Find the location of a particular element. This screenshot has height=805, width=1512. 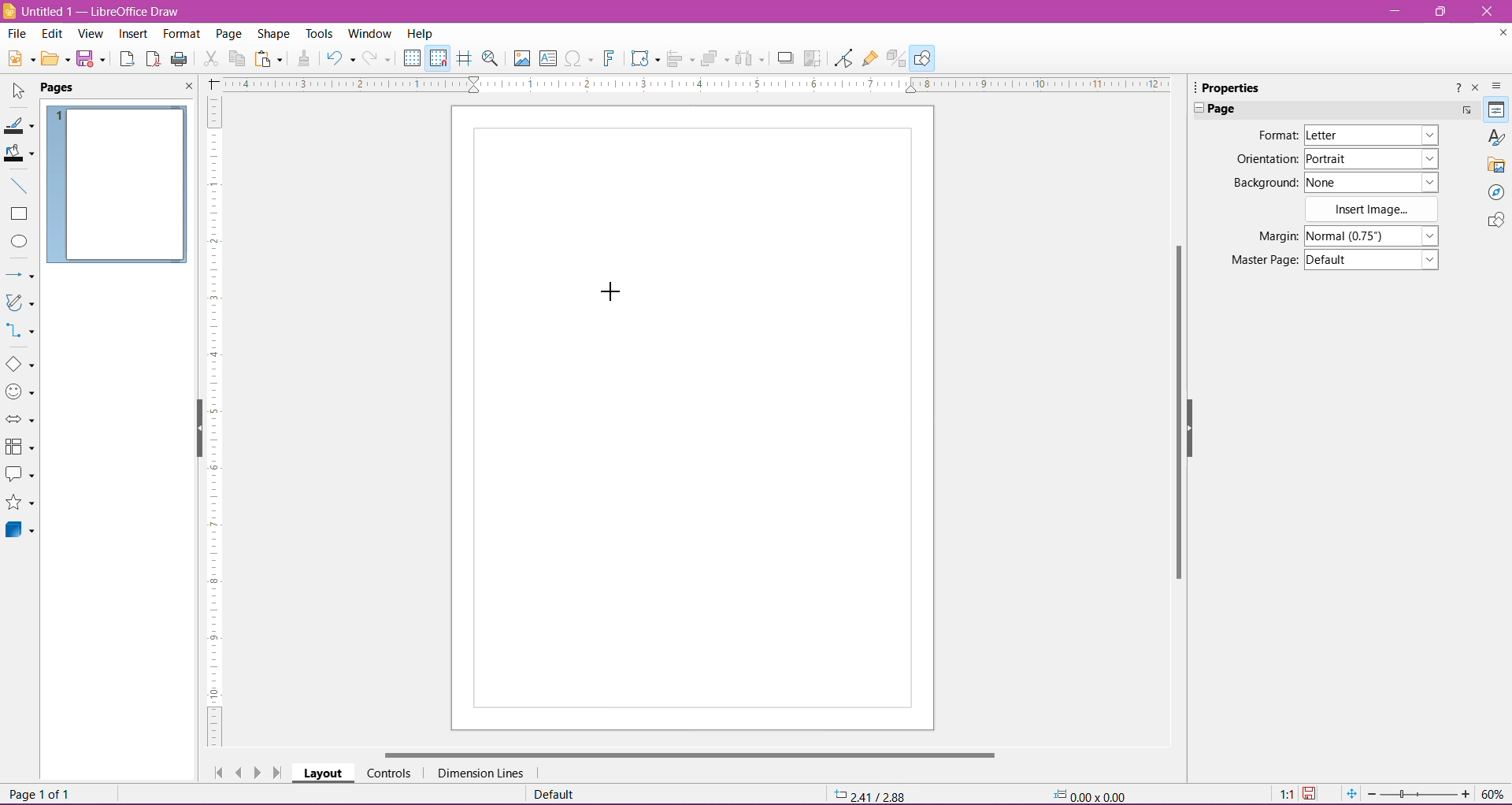

Flowcharts is located at coordinates (20, 447).